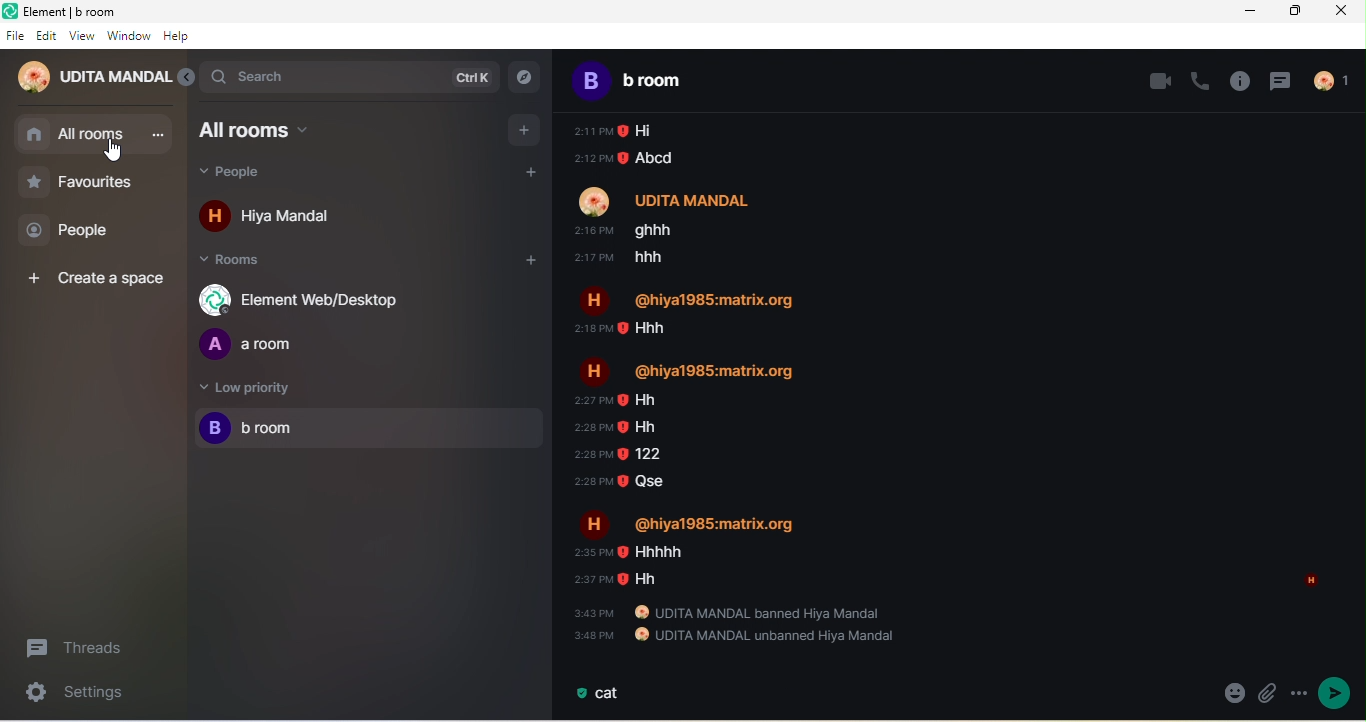 This screenshot has width=1366, height=722. What do you see at coordinates (536, 175) in the screenshot?
I see `add people` at bounding box center [536, 175].